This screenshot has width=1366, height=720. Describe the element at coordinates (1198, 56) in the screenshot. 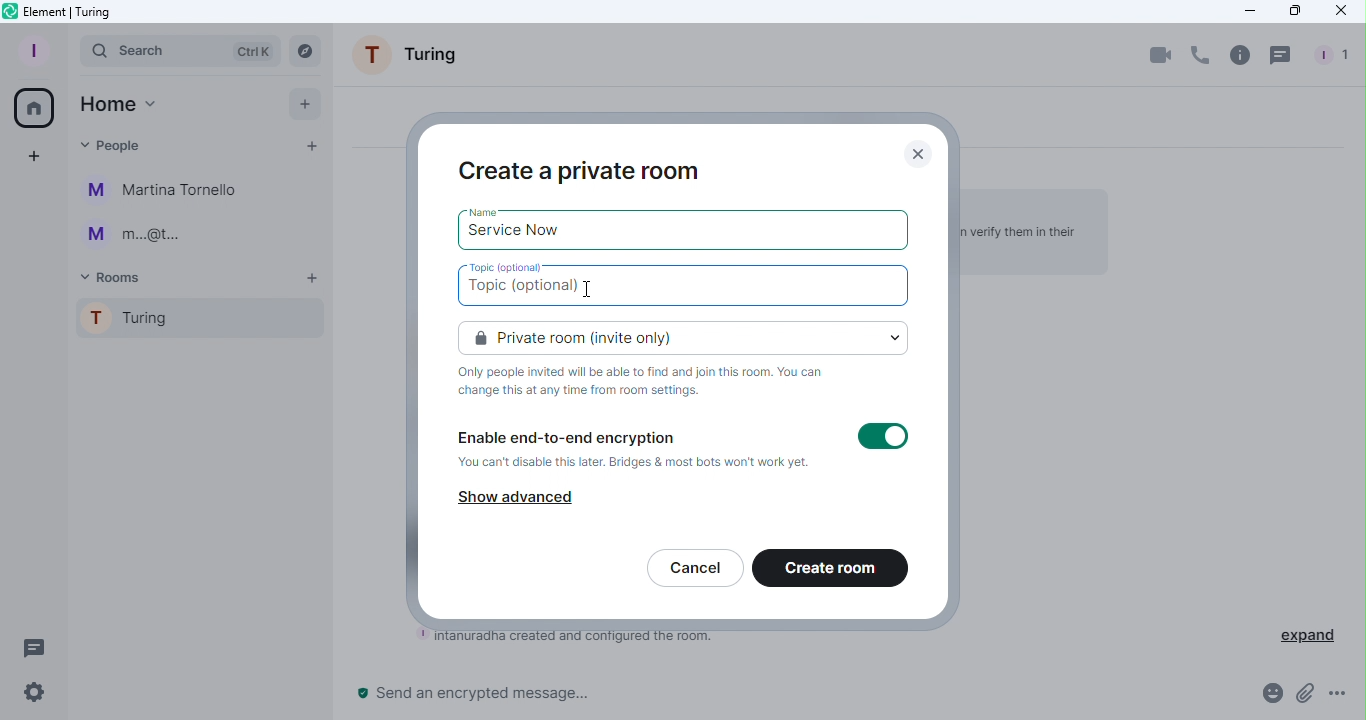

I see `Call` at that location.